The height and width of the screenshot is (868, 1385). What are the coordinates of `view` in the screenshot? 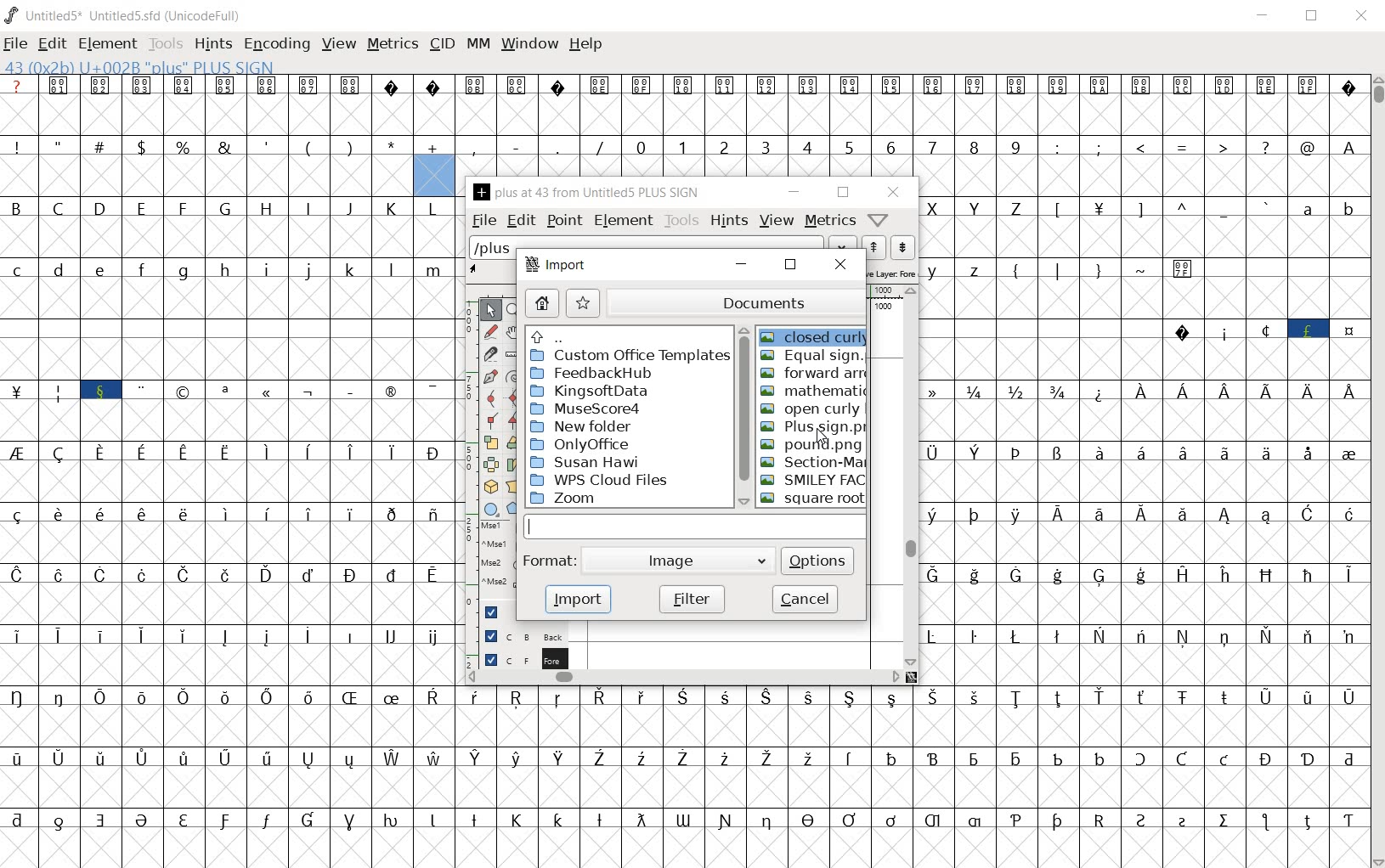 It's located at (337, 42).